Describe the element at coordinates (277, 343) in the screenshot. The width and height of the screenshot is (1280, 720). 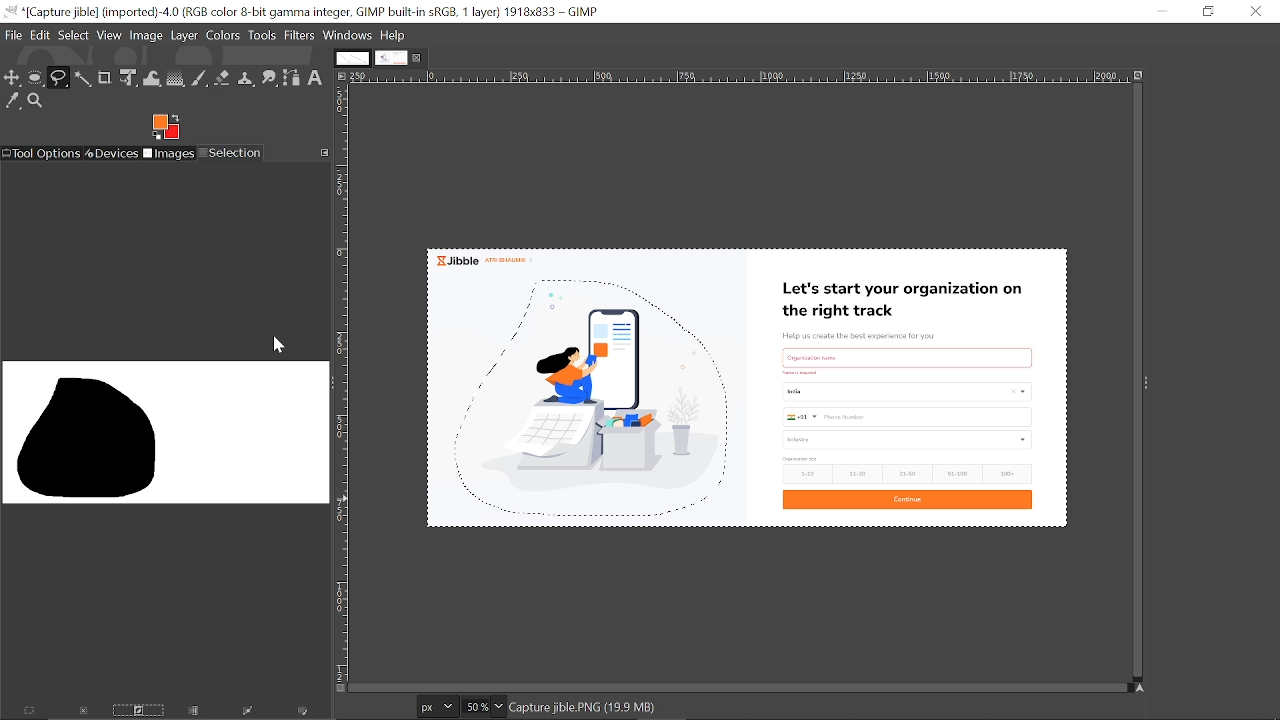
I see `cursor` at that location.